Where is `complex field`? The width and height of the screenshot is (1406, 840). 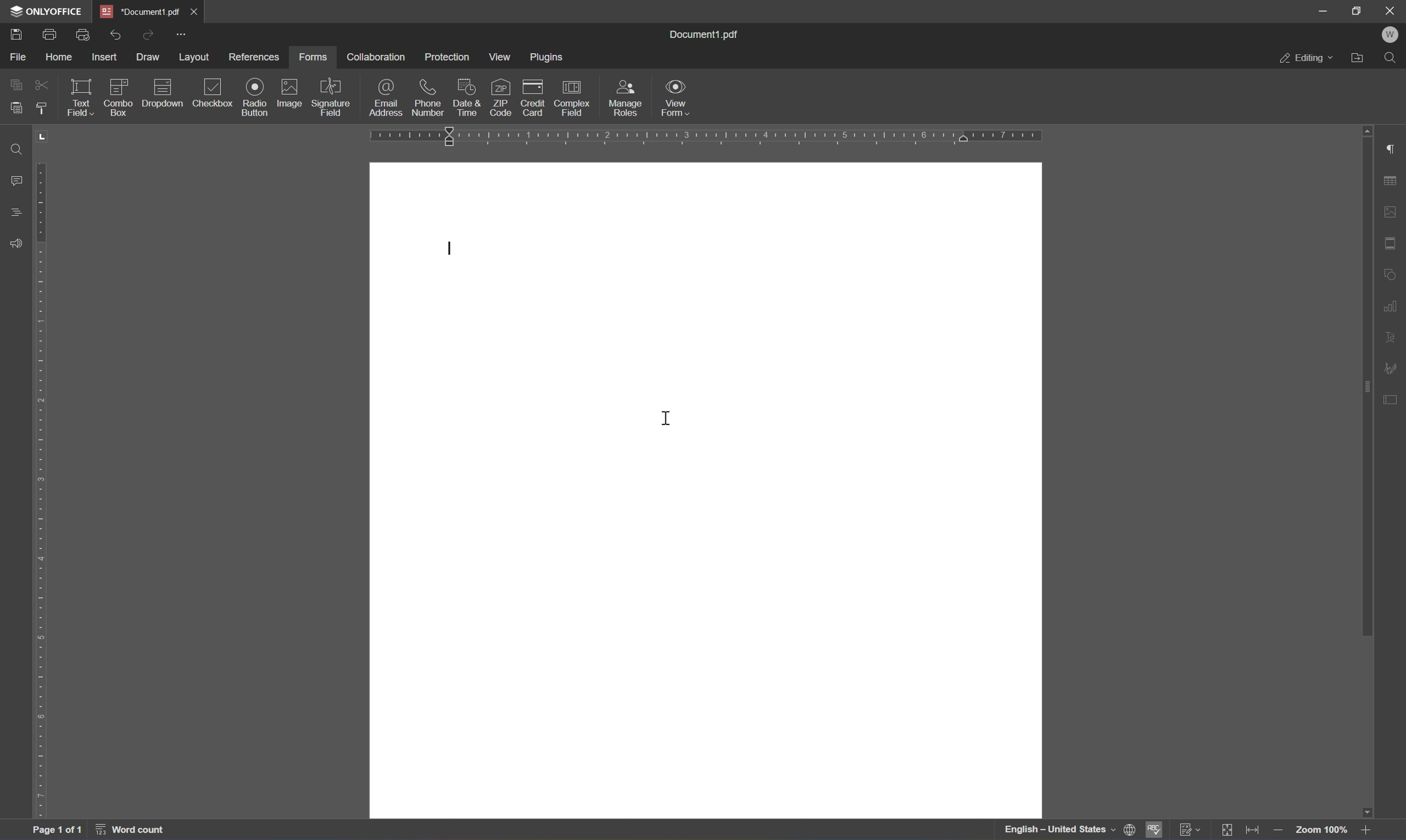 complex field is located at coordinates (573, 98).